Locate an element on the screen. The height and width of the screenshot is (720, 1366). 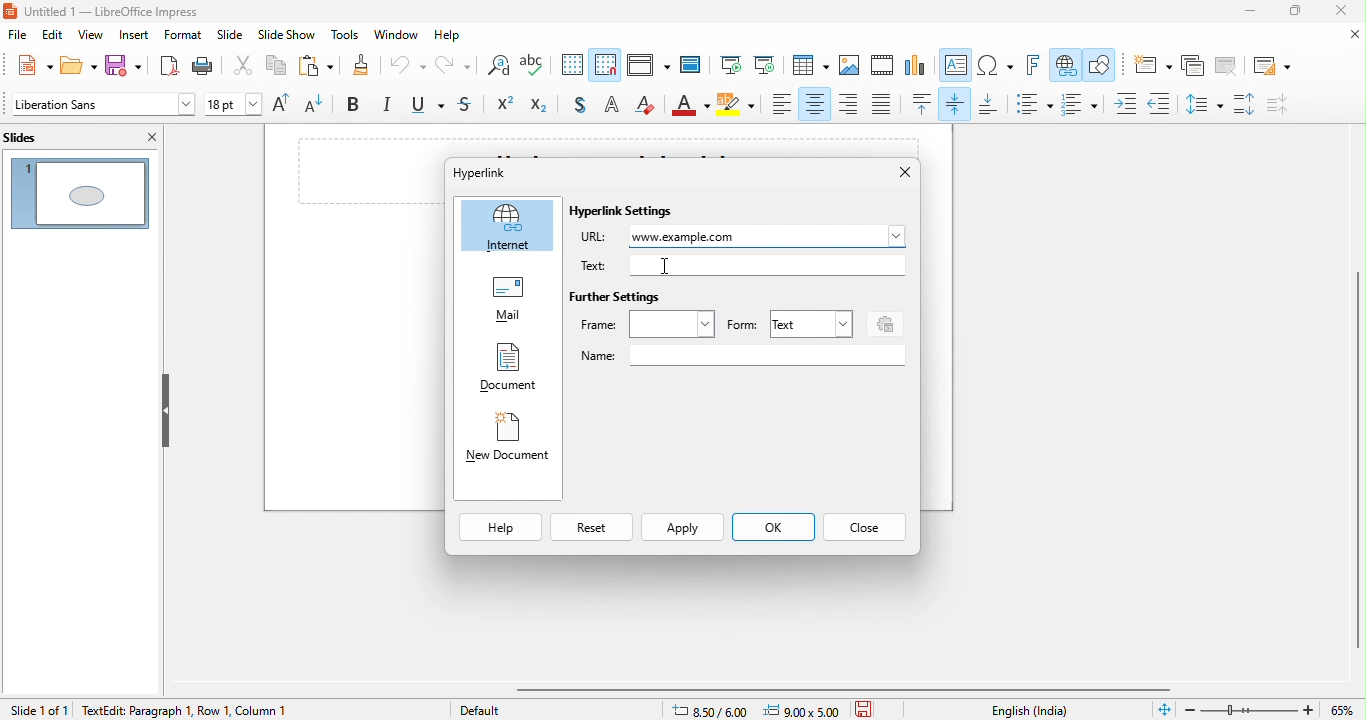
character highlight color is located at coordinates (738, 107).